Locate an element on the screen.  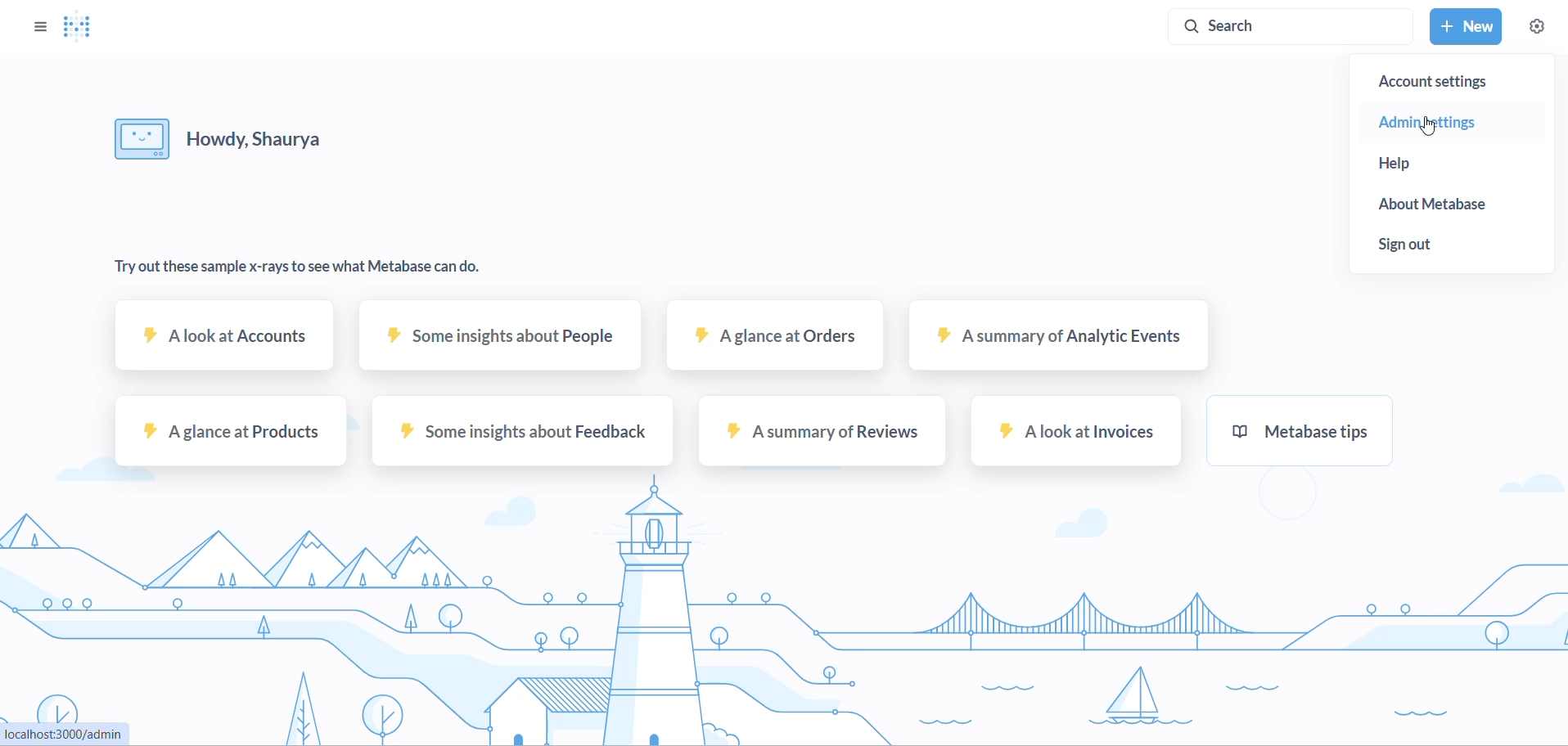
admin settings is located at coordinates (1451, 122).